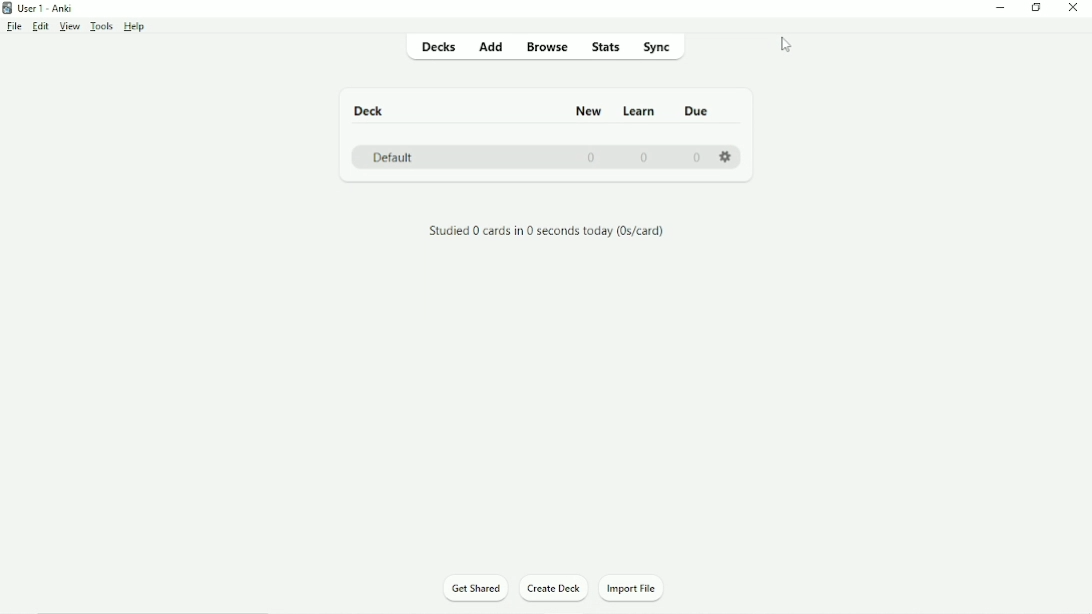  What do you see at coordinates (697, 158) in the screenshot?
I see `0` at bounding box center [697, 158].